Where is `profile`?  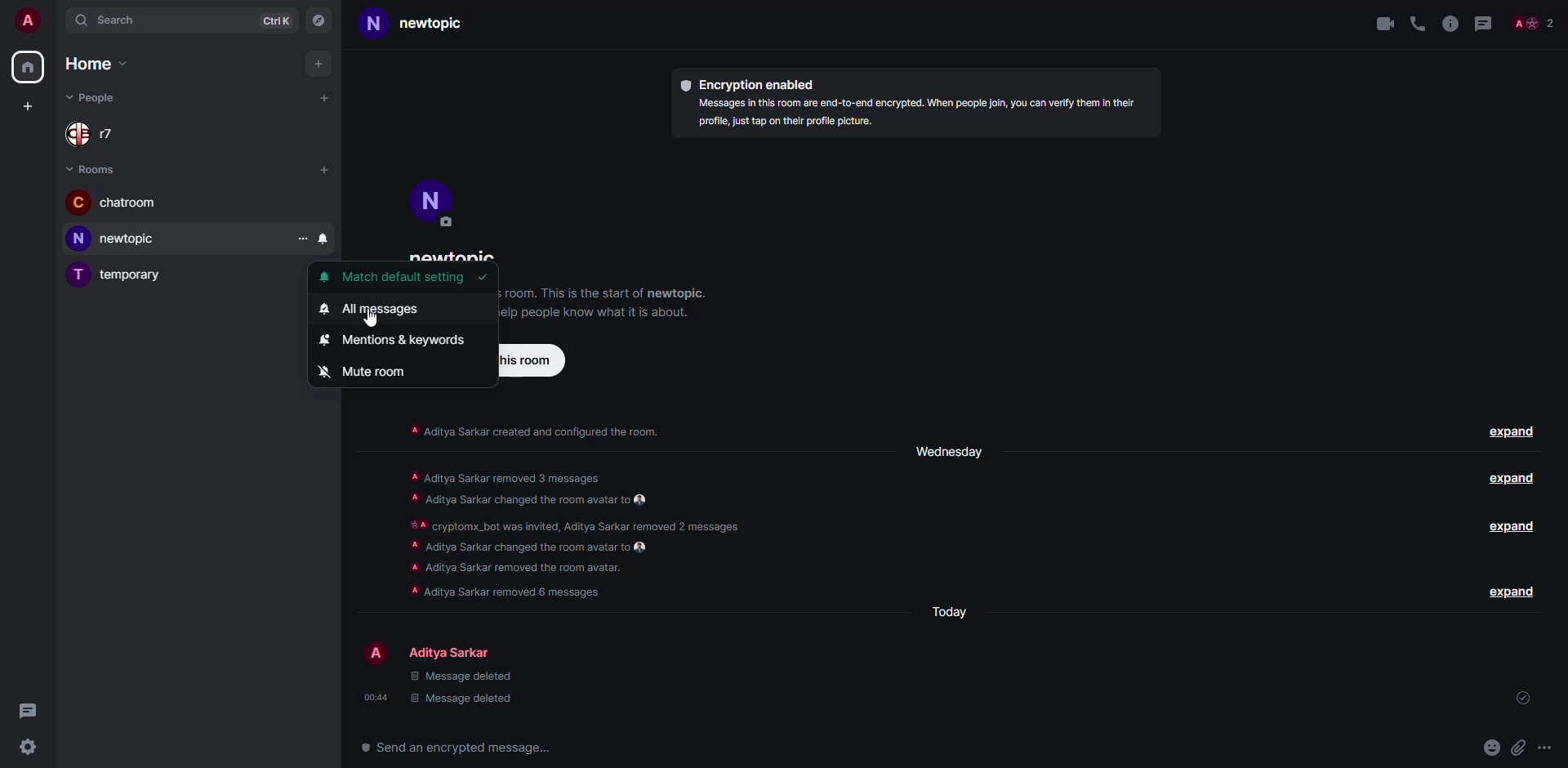 profile is located at coordinates (29, 20).